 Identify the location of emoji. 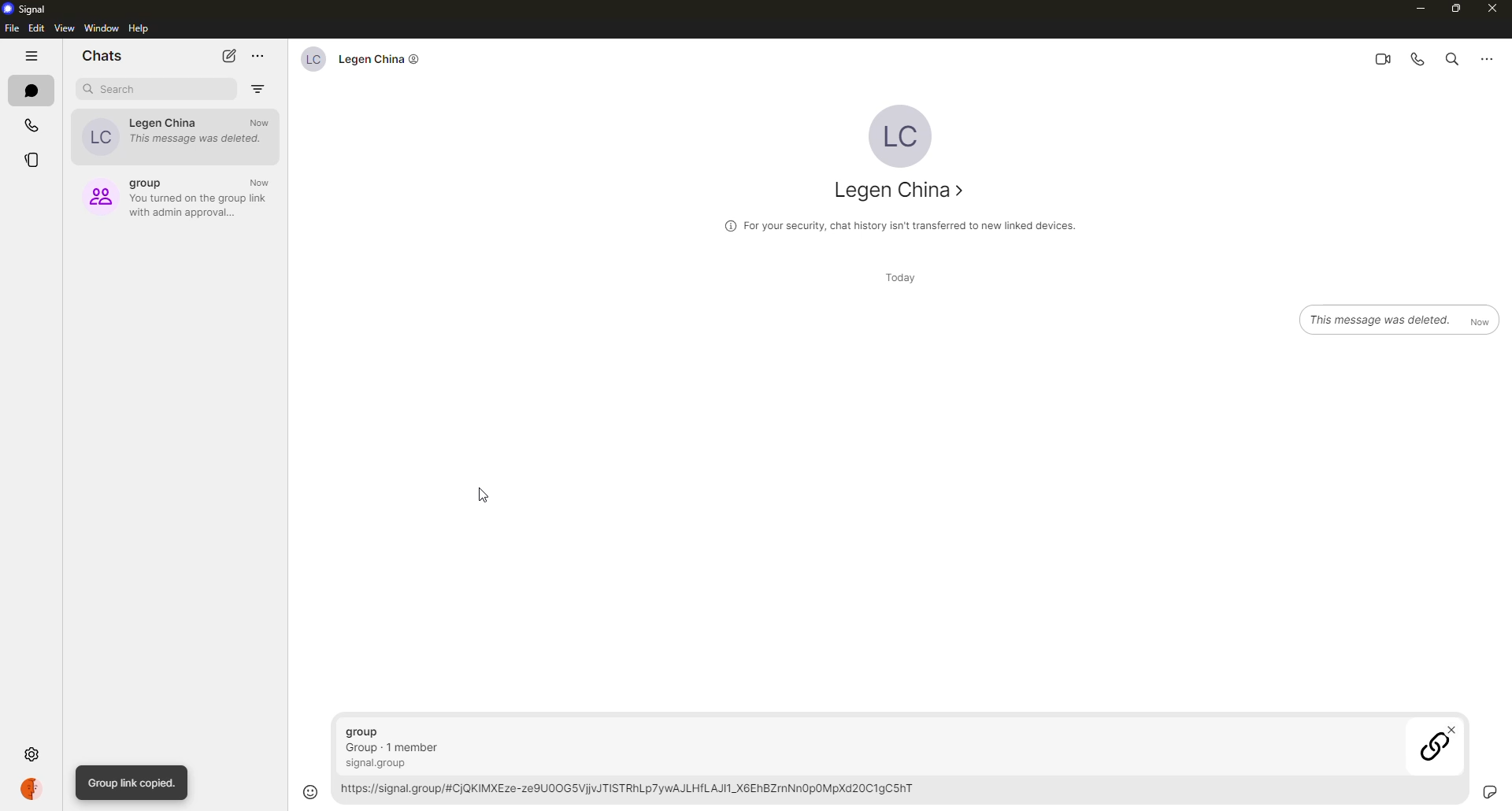
(309, 791).